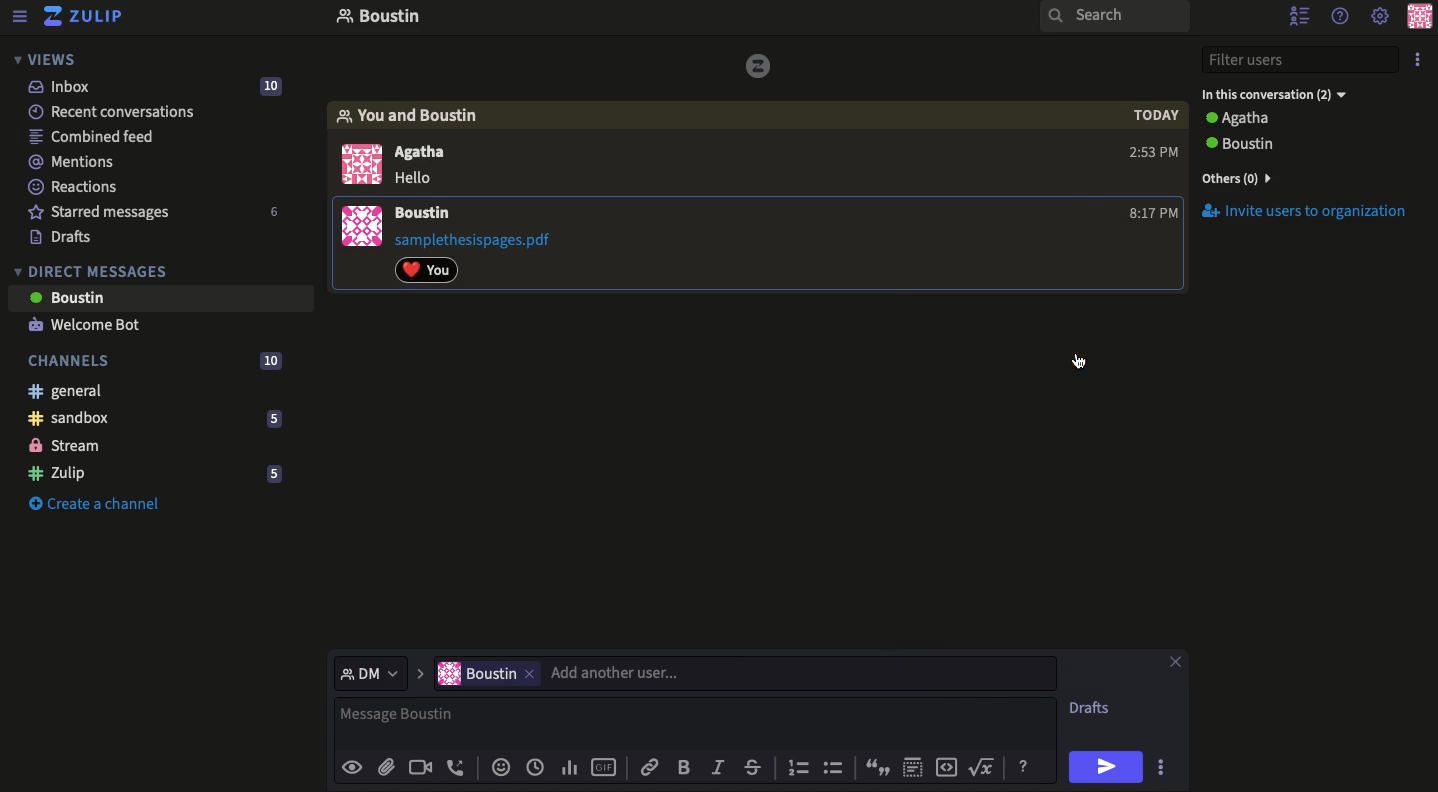 The image size is (1438, 792). Describe the element at coordinates (420, 150) in the screenshot. I see `Agatha` at that location.